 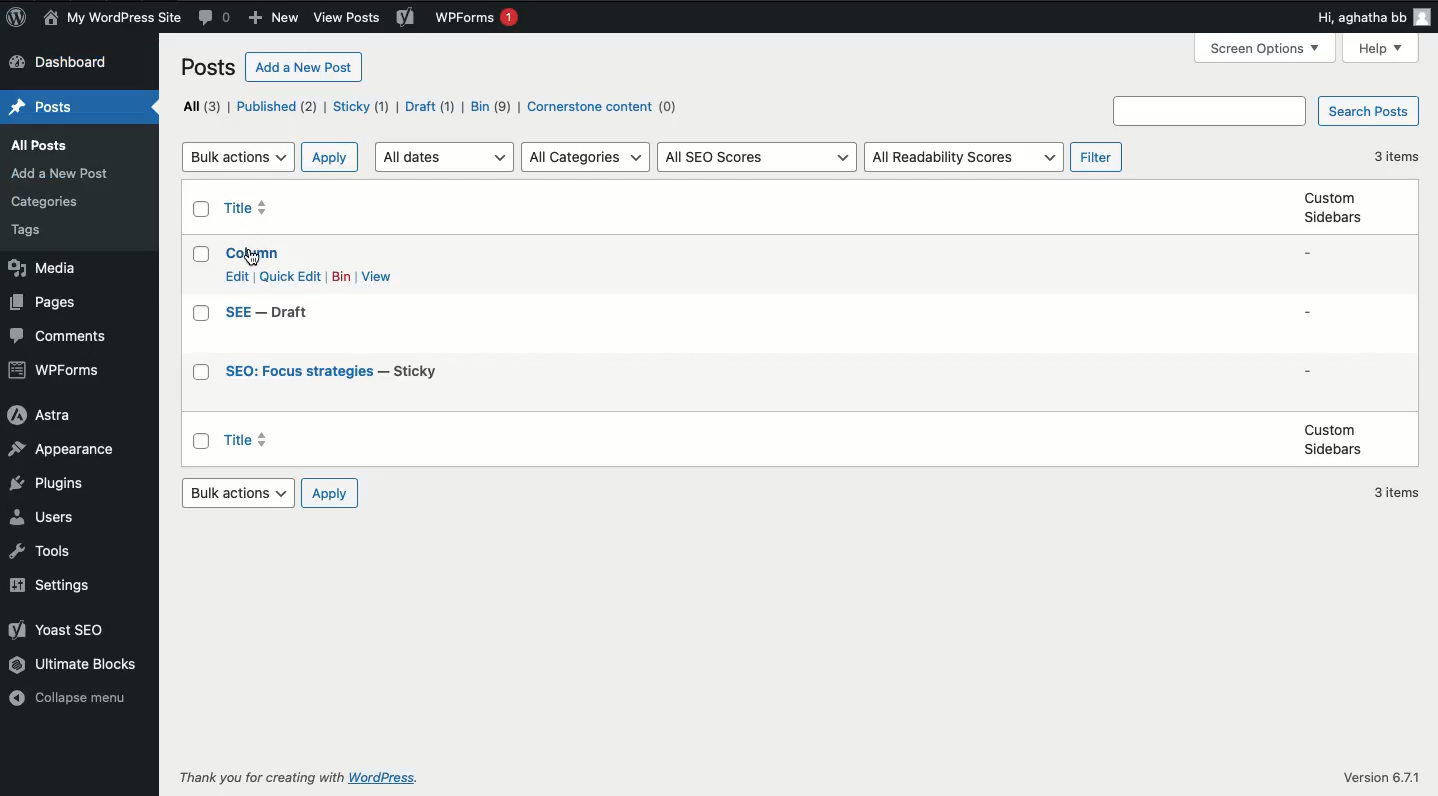 What do you see at coordinates (47, 202) in the screenshot?
I see `` at bounding box center [47, 202].